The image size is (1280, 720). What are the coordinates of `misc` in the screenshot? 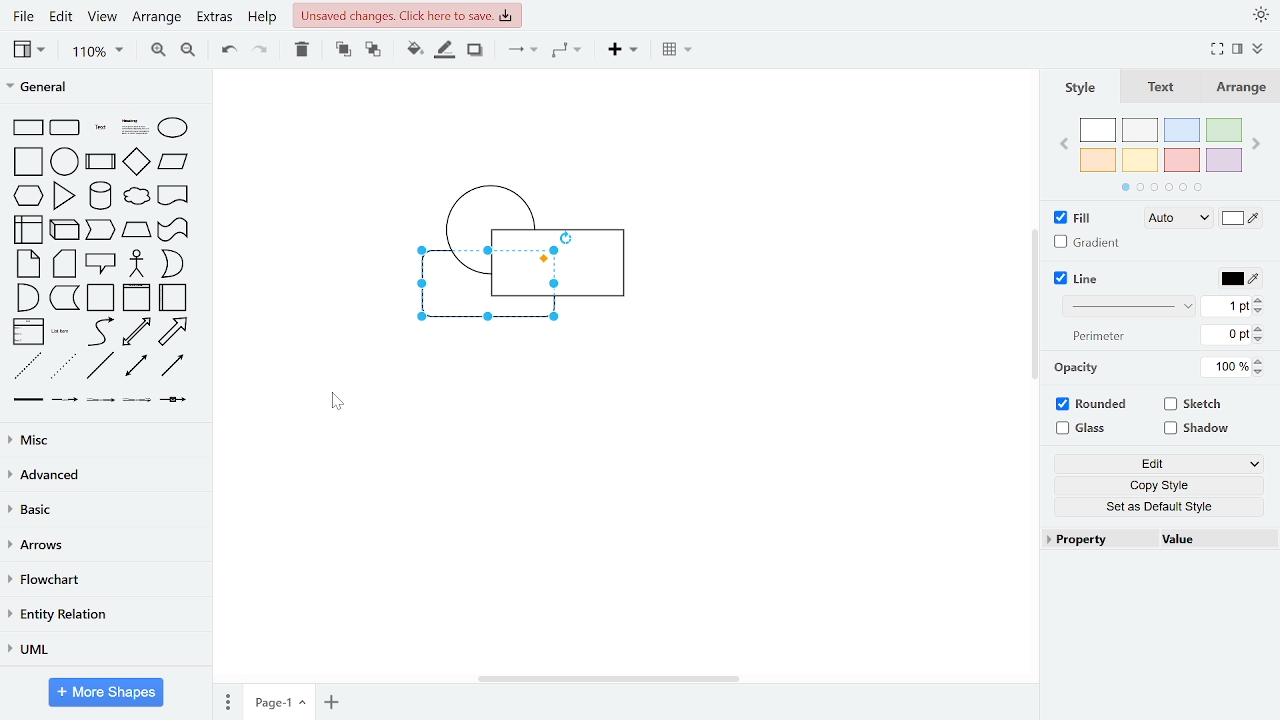 It's located at (107, 438).